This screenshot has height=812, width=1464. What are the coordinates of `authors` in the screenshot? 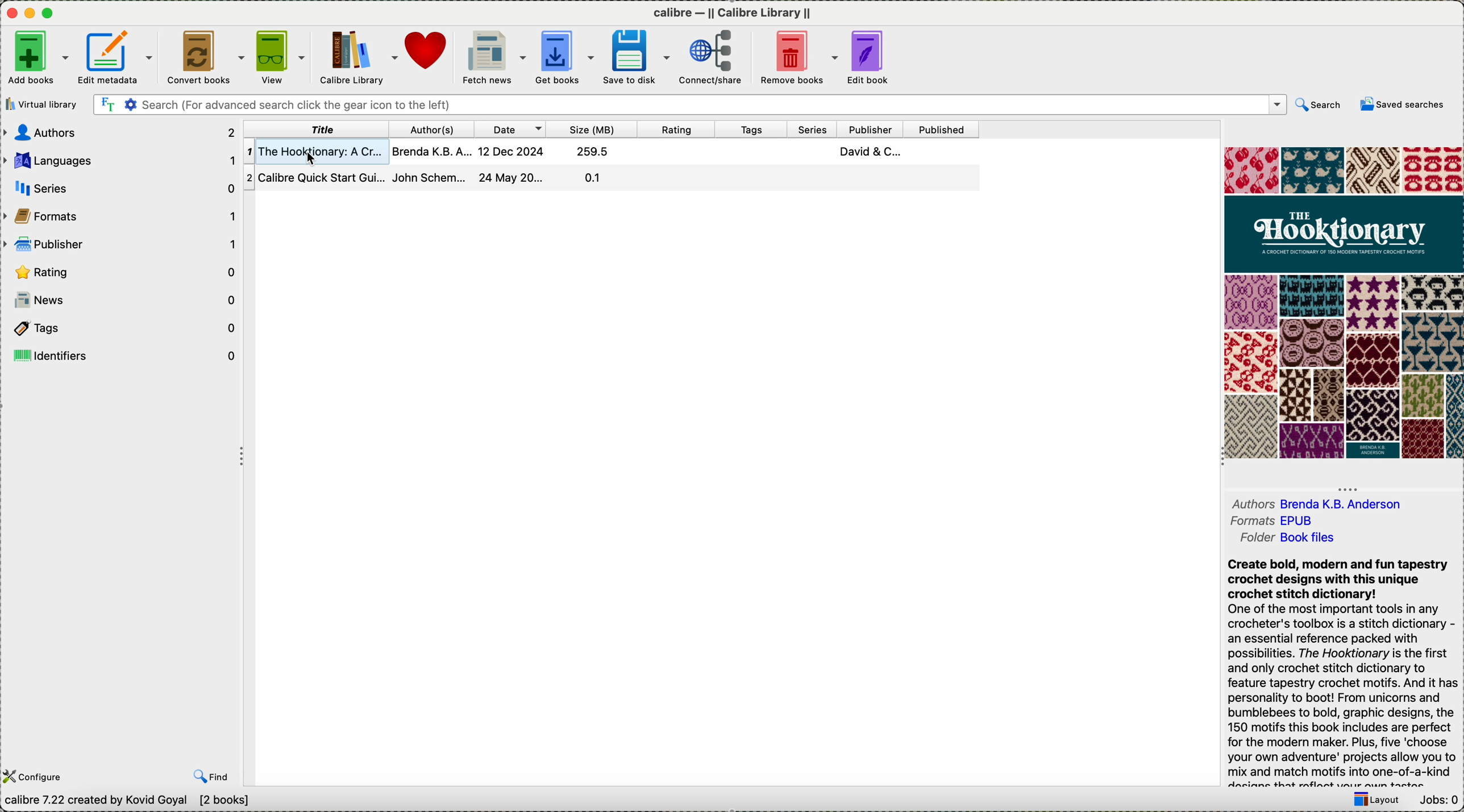 It's located at (120, 133).